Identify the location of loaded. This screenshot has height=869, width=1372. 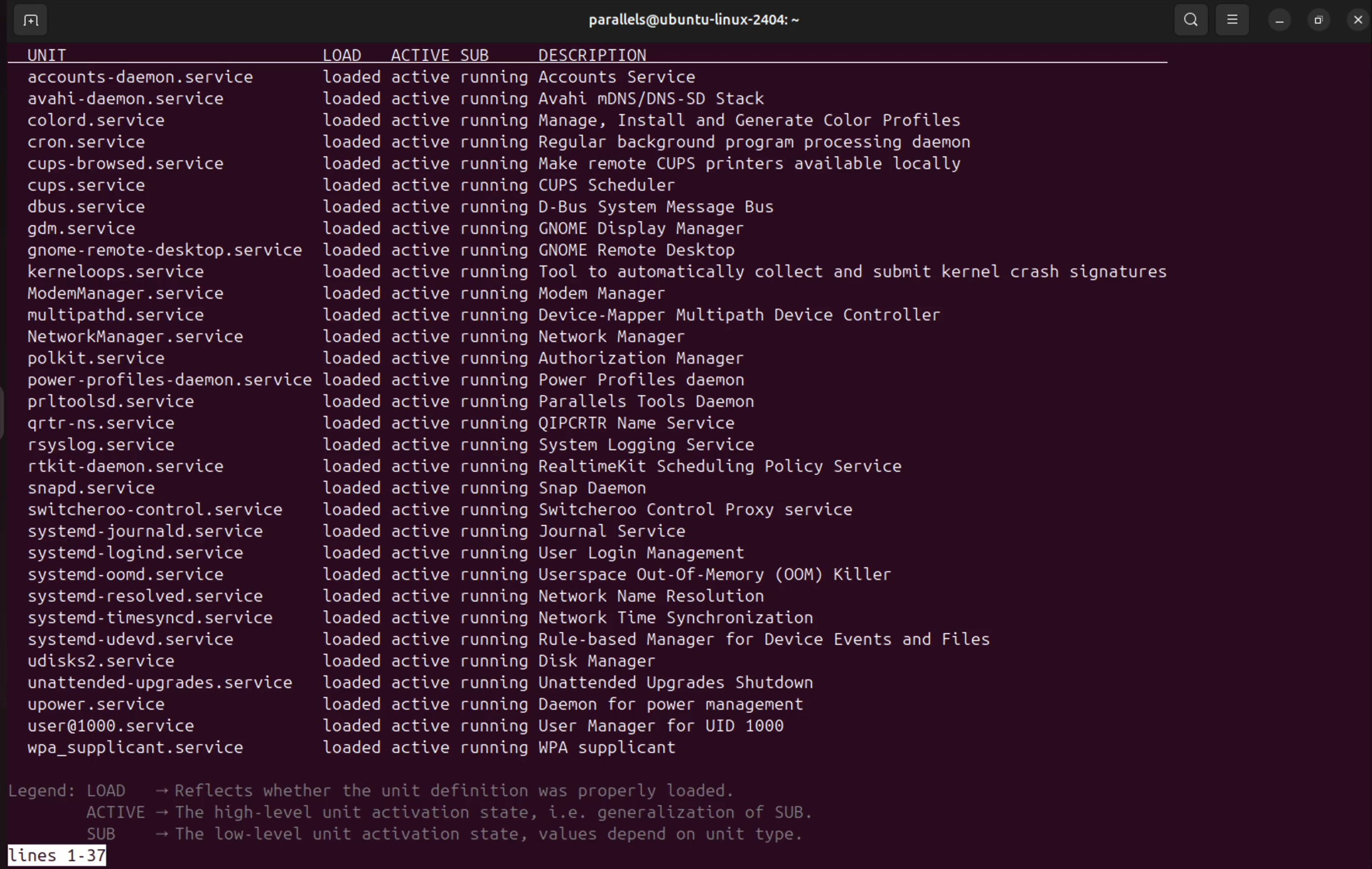
(353, 143).